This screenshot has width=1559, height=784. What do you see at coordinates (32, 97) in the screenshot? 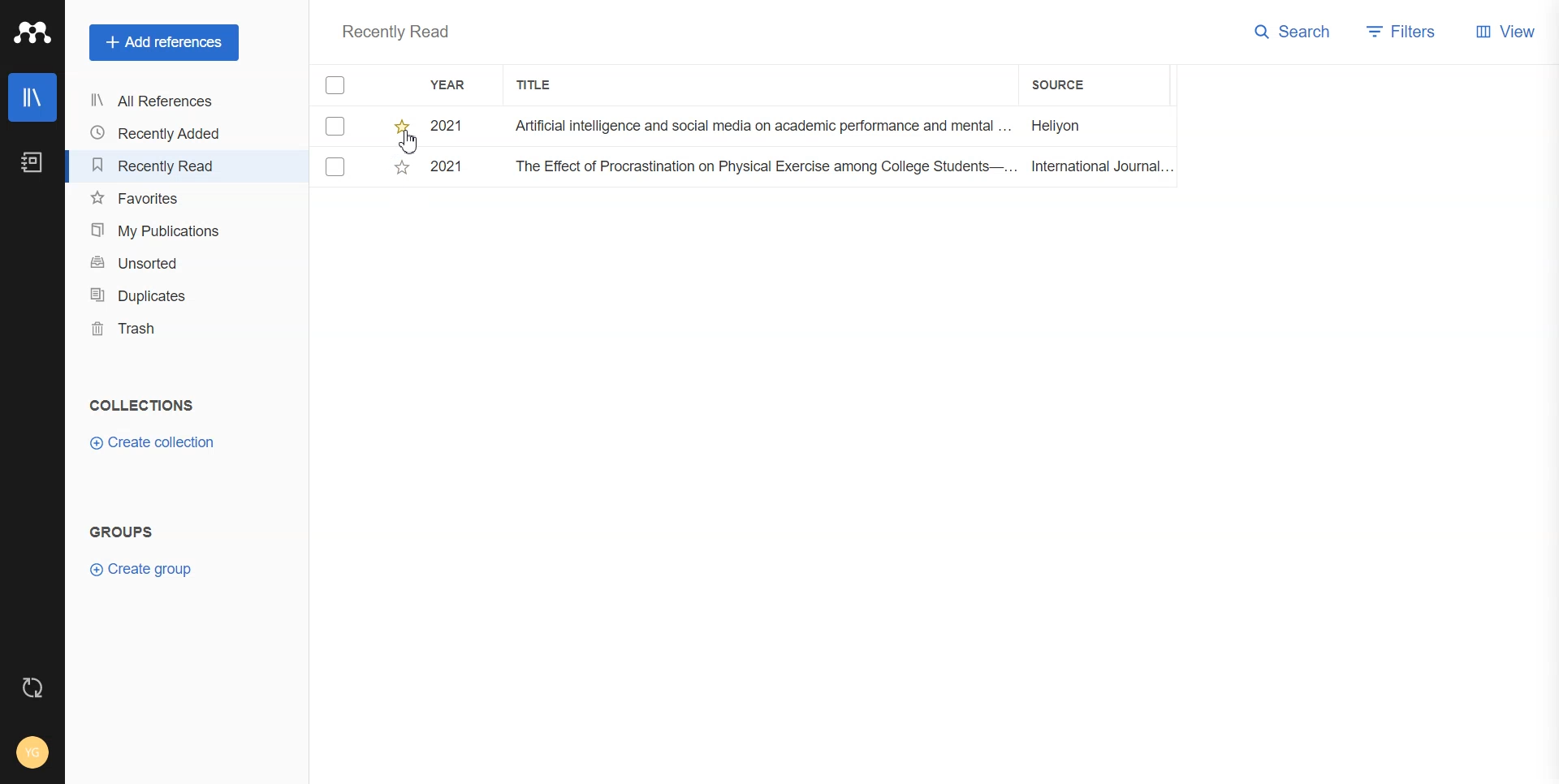
I see `Library` at bounding box center [32, 97].